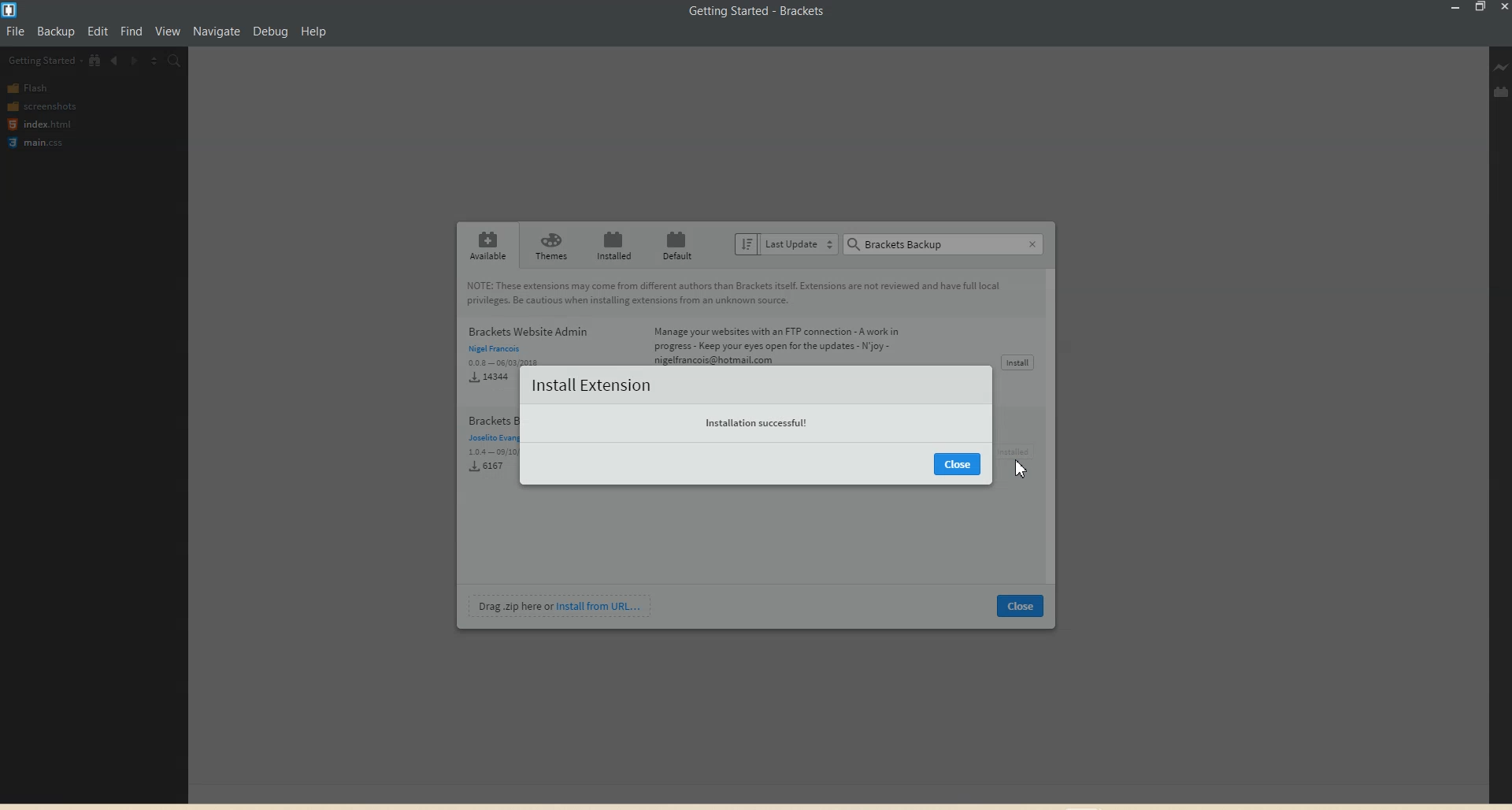 The width and height of the screenshot is (1512, 810). I want to click on Vertical scroll bar, so click(1054, 427).